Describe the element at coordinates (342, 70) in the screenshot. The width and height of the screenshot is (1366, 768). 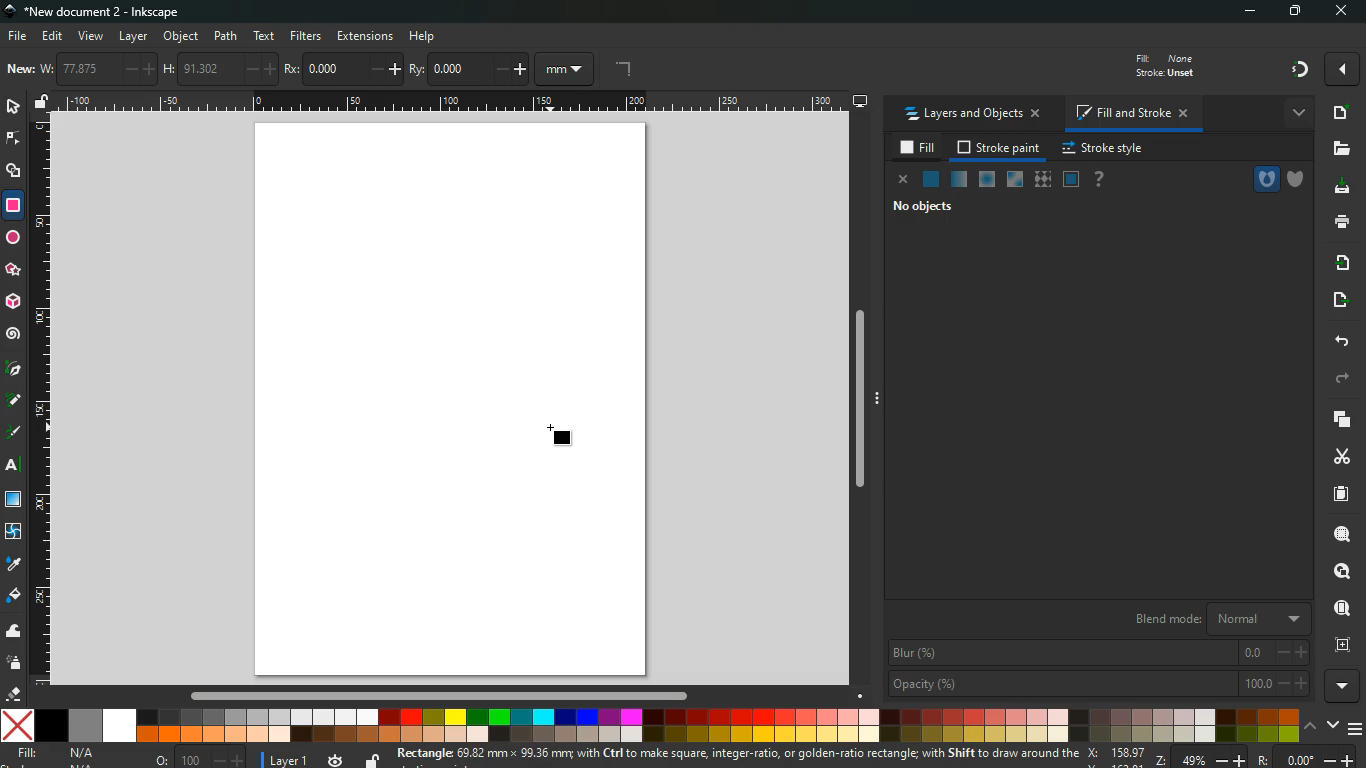
I see `rx` at that location.